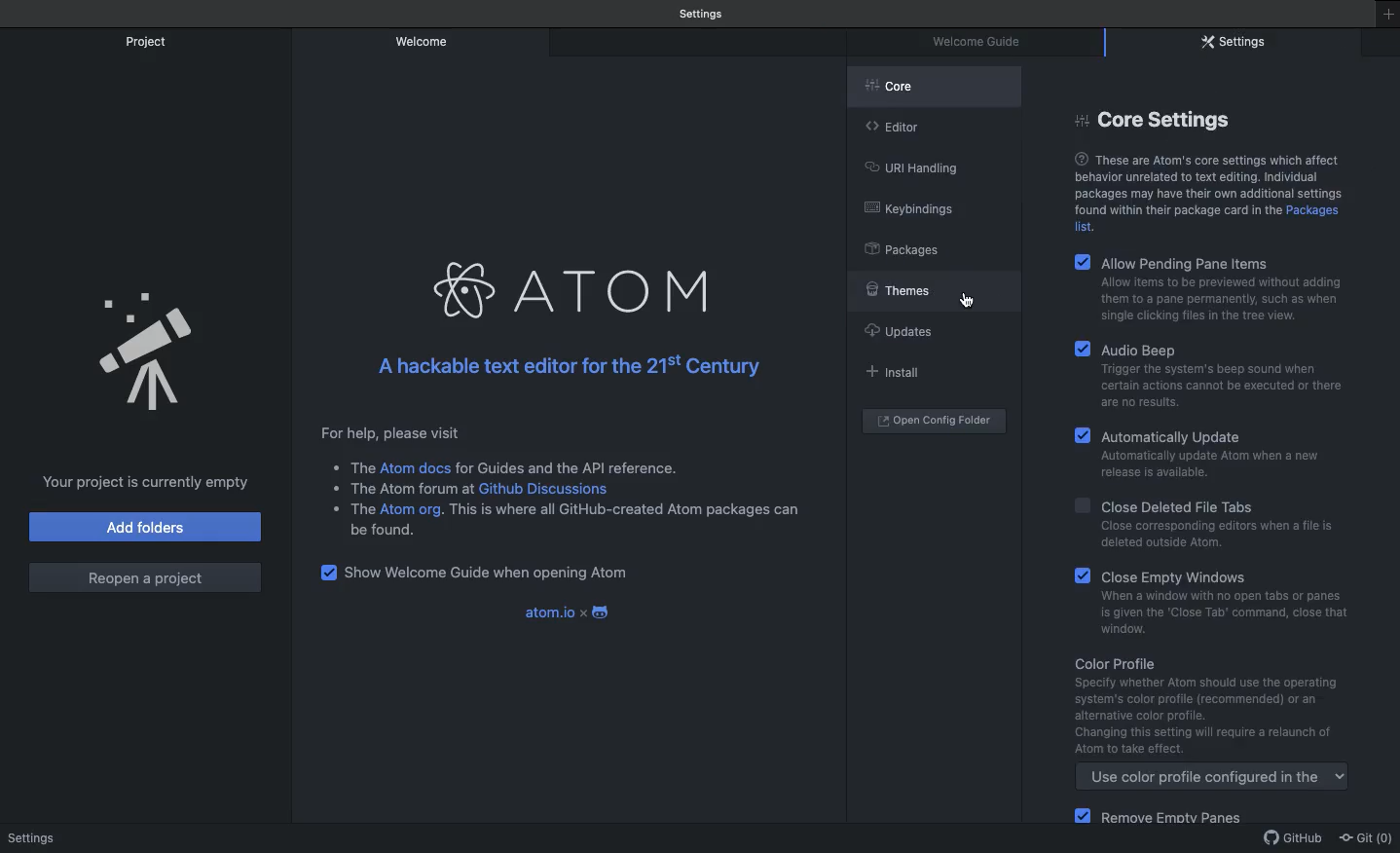 The image size is (1400, 853). I want to click on @ These are Atom's core settings which affect
behavior unrelated to text editing. Individual
packages may have their own additional settings
found within their package card in the Packages
list., so click(1219, 191).